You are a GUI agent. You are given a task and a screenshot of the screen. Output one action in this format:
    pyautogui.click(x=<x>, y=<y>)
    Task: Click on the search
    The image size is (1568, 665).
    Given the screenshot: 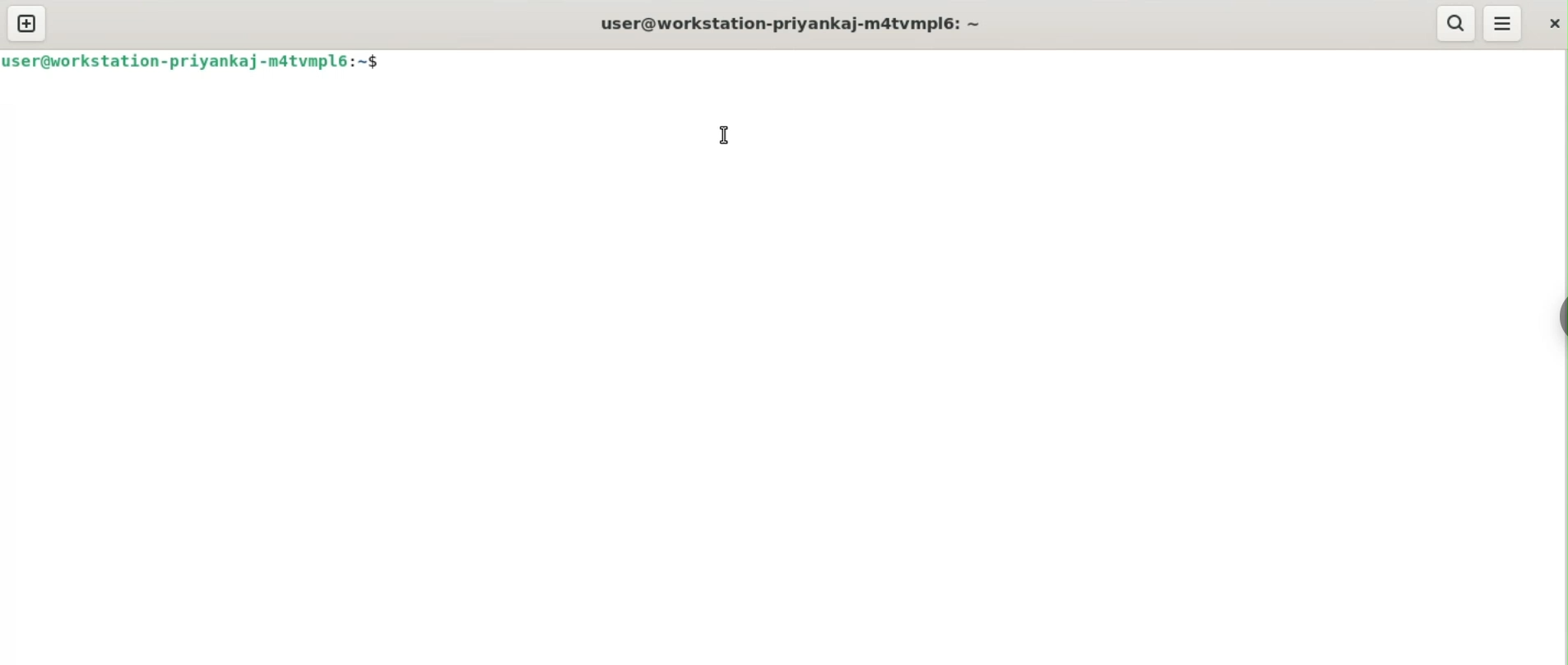 What is the action you would take?
    pyautogui.click(x=1457, y=24)
    